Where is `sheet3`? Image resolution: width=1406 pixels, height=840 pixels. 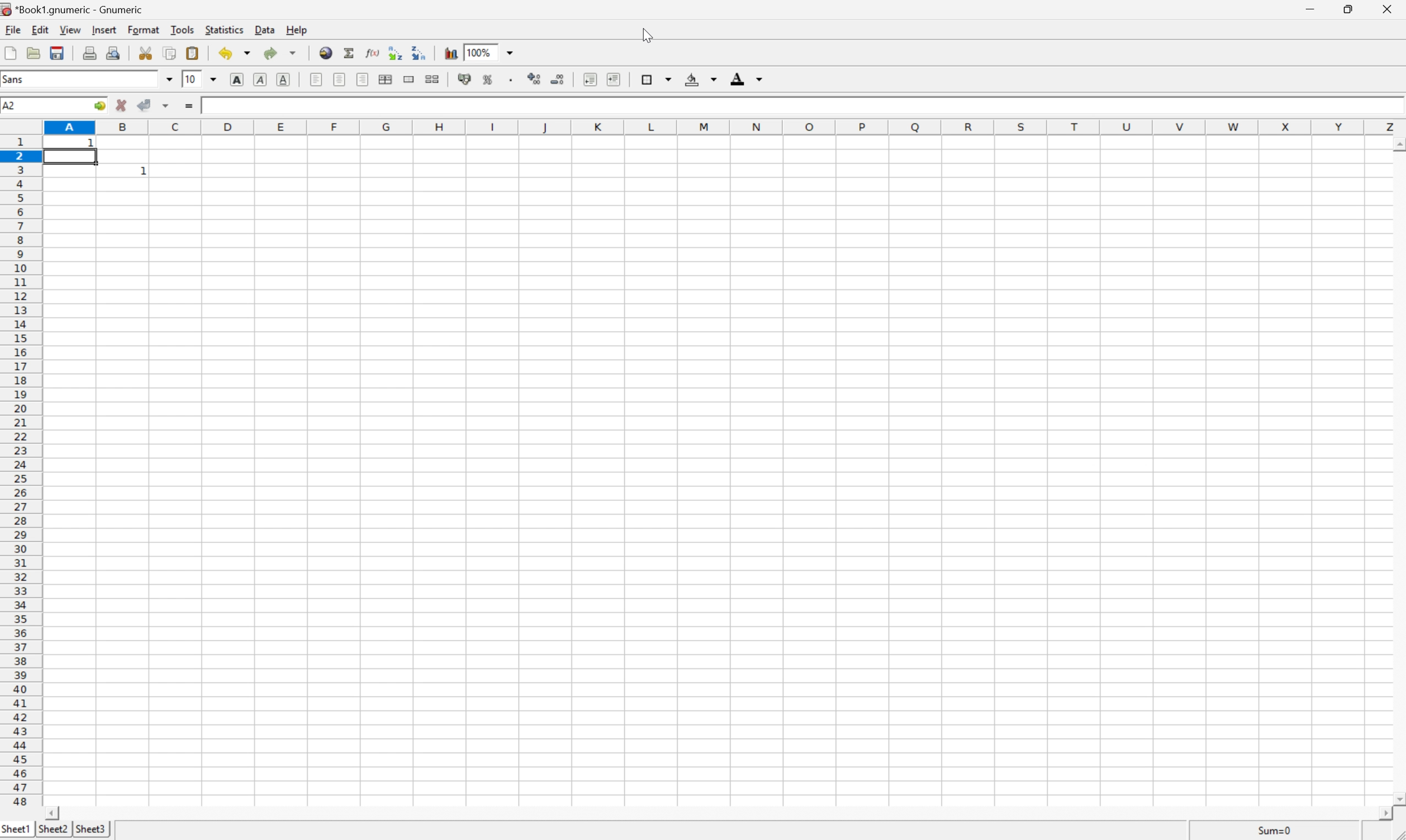
sheet3 is located at coordinates (92, 831).